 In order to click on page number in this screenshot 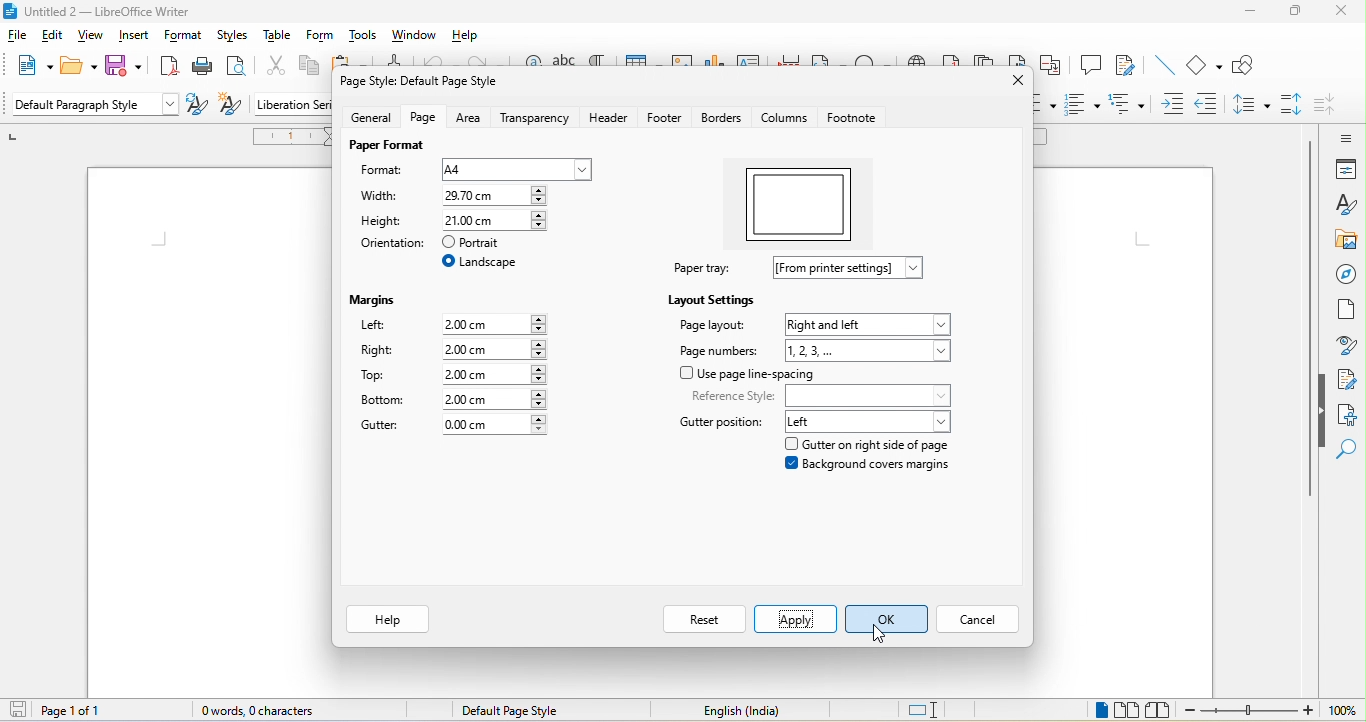, I will do `click(720, 352)`.